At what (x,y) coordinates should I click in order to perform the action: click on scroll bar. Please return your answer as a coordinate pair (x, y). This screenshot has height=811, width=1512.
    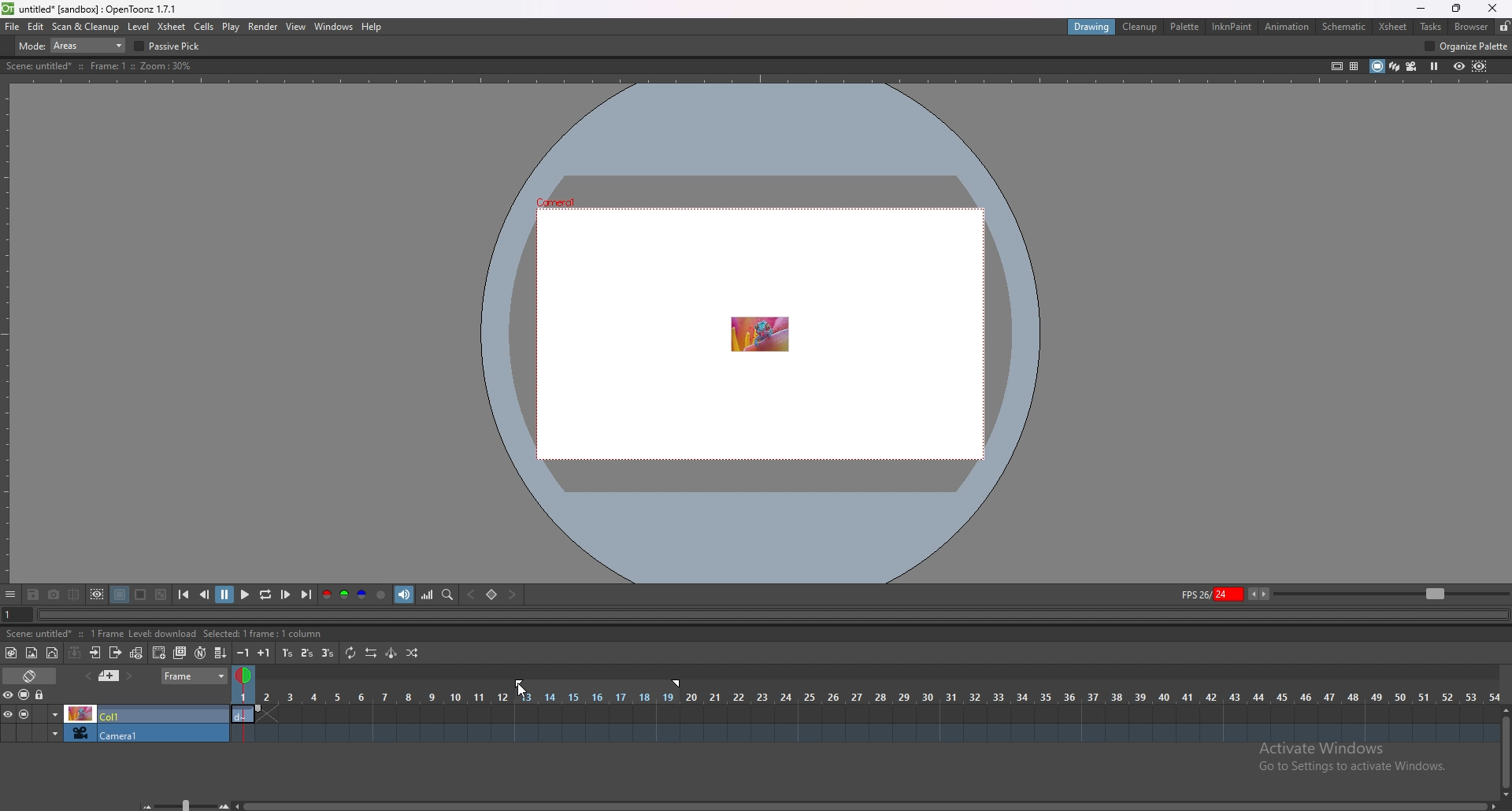
    Looking at the image, I should click on (865, 805).